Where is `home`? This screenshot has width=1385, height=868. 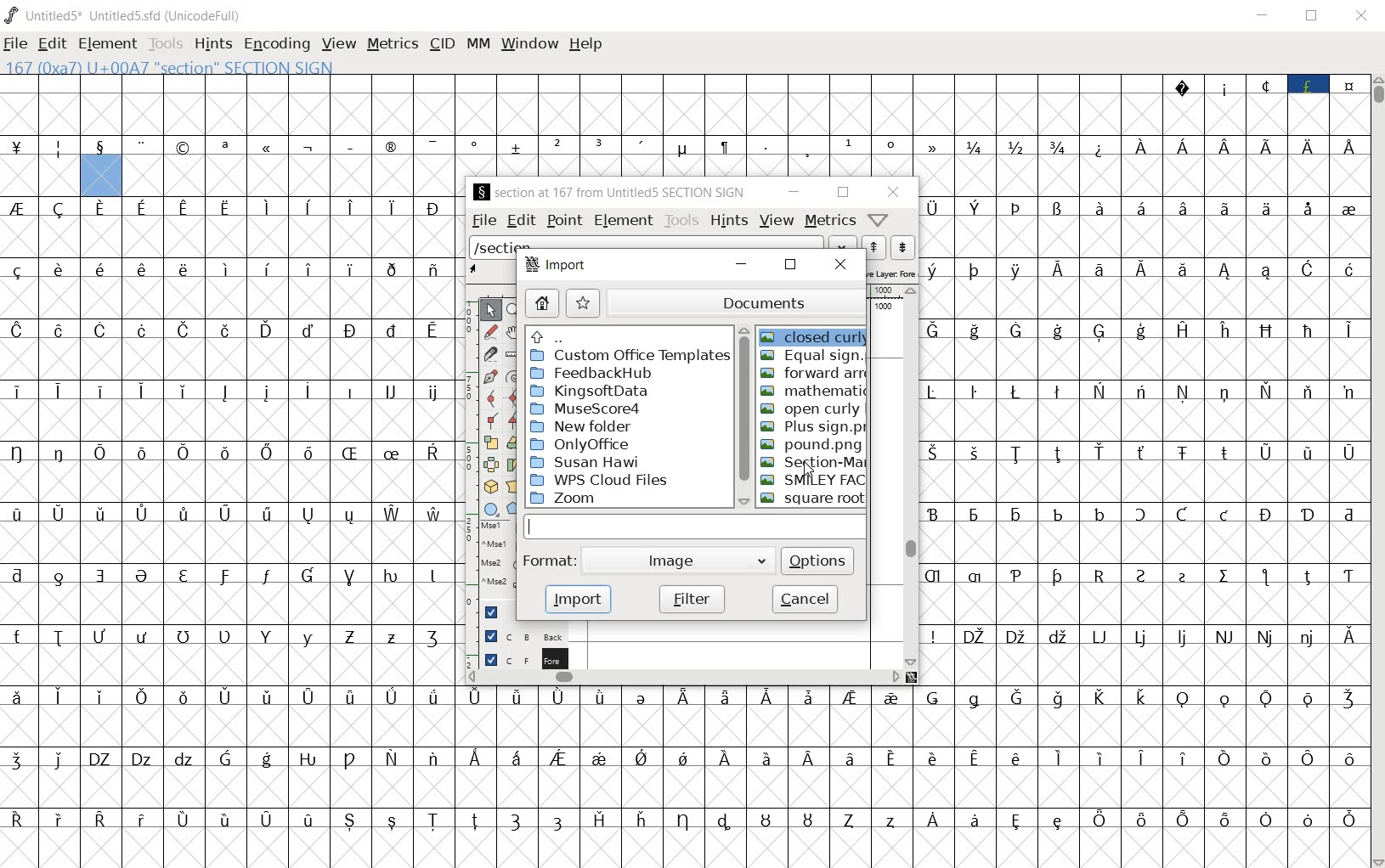 home is located at coordinates (542, 304).